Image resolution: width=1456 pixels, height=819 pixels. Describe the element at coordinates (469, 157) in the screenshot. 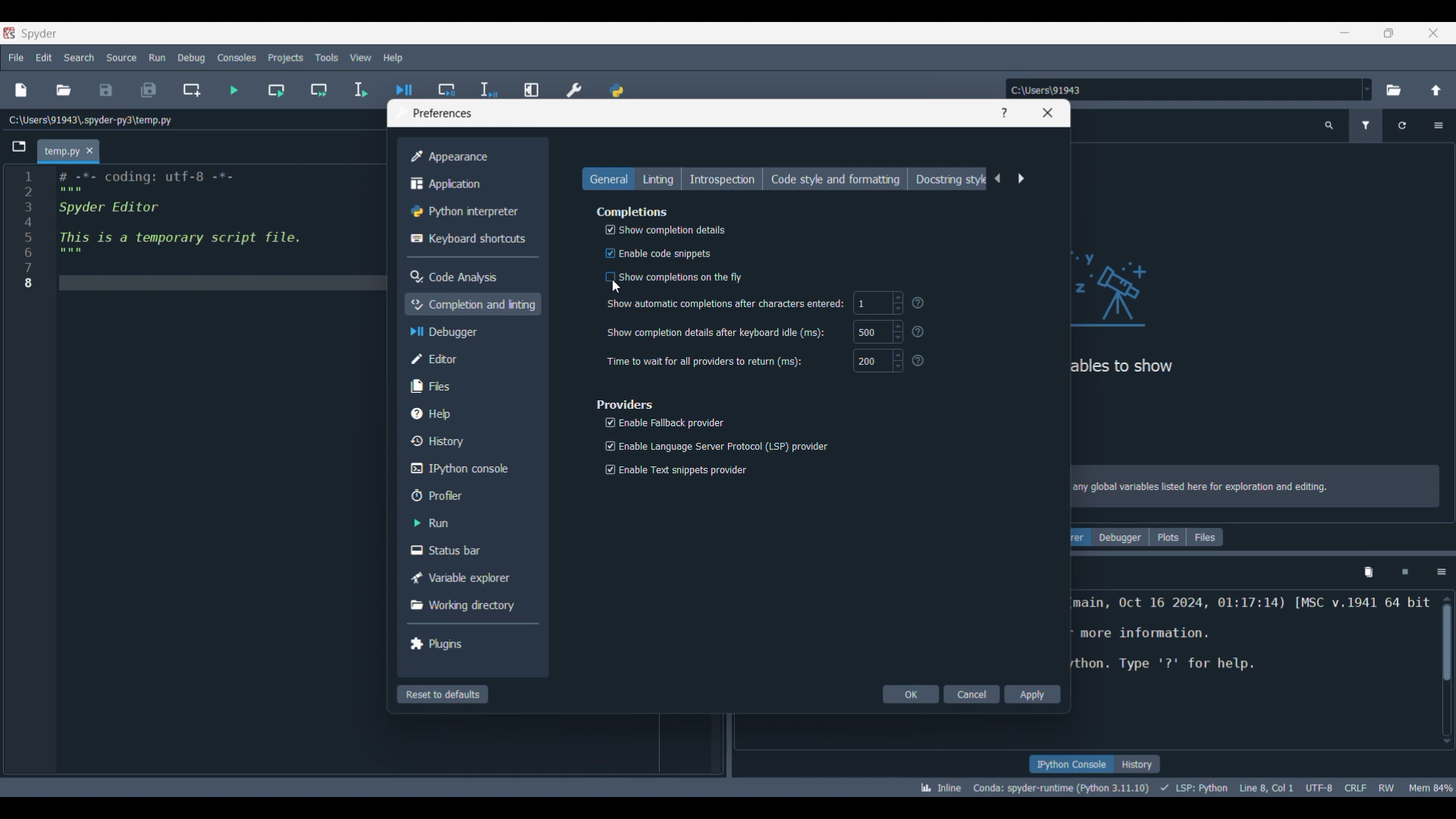

I see `Appearance` at that location.